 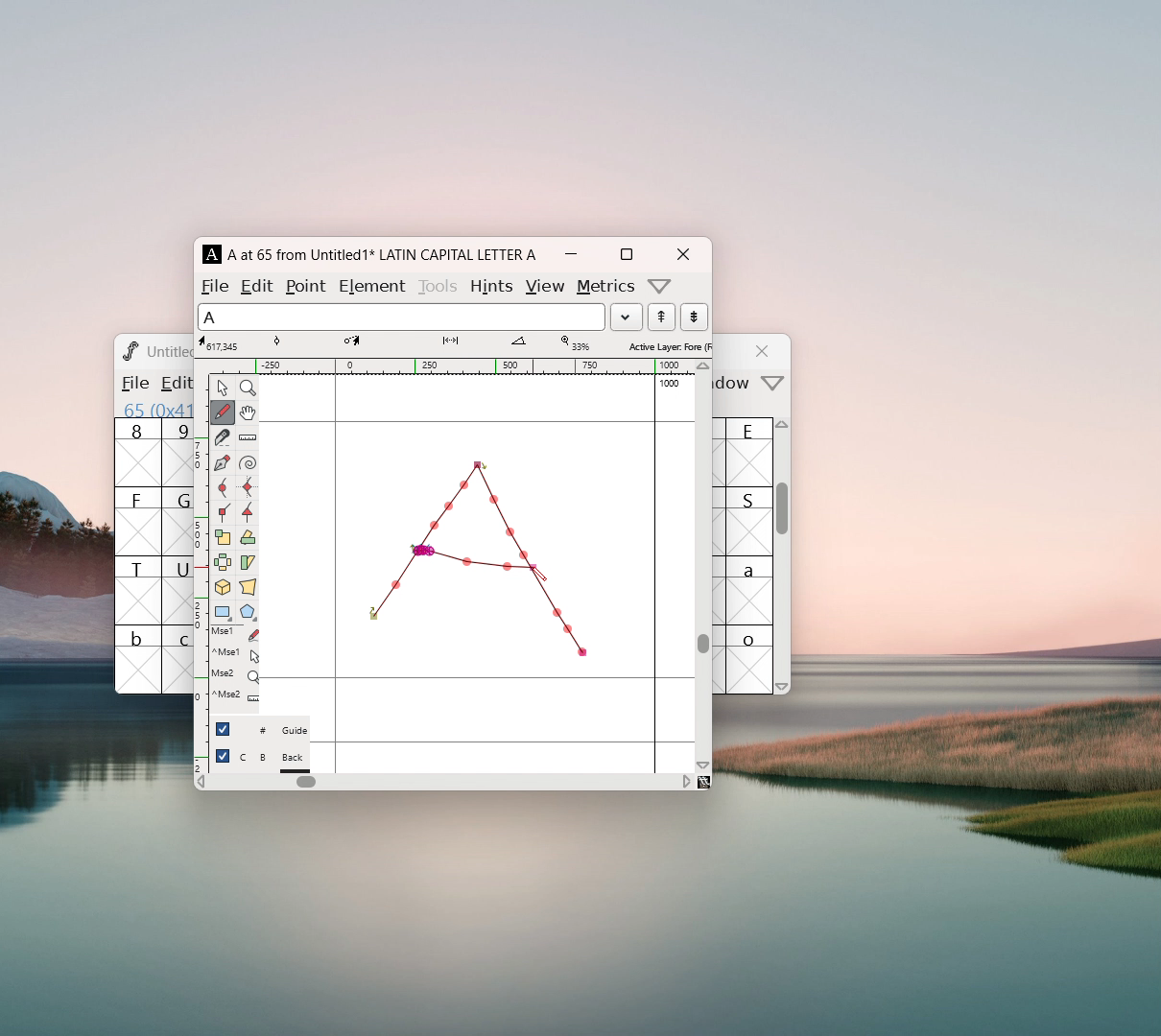 I want to click on S, so click(x=749, y=521).